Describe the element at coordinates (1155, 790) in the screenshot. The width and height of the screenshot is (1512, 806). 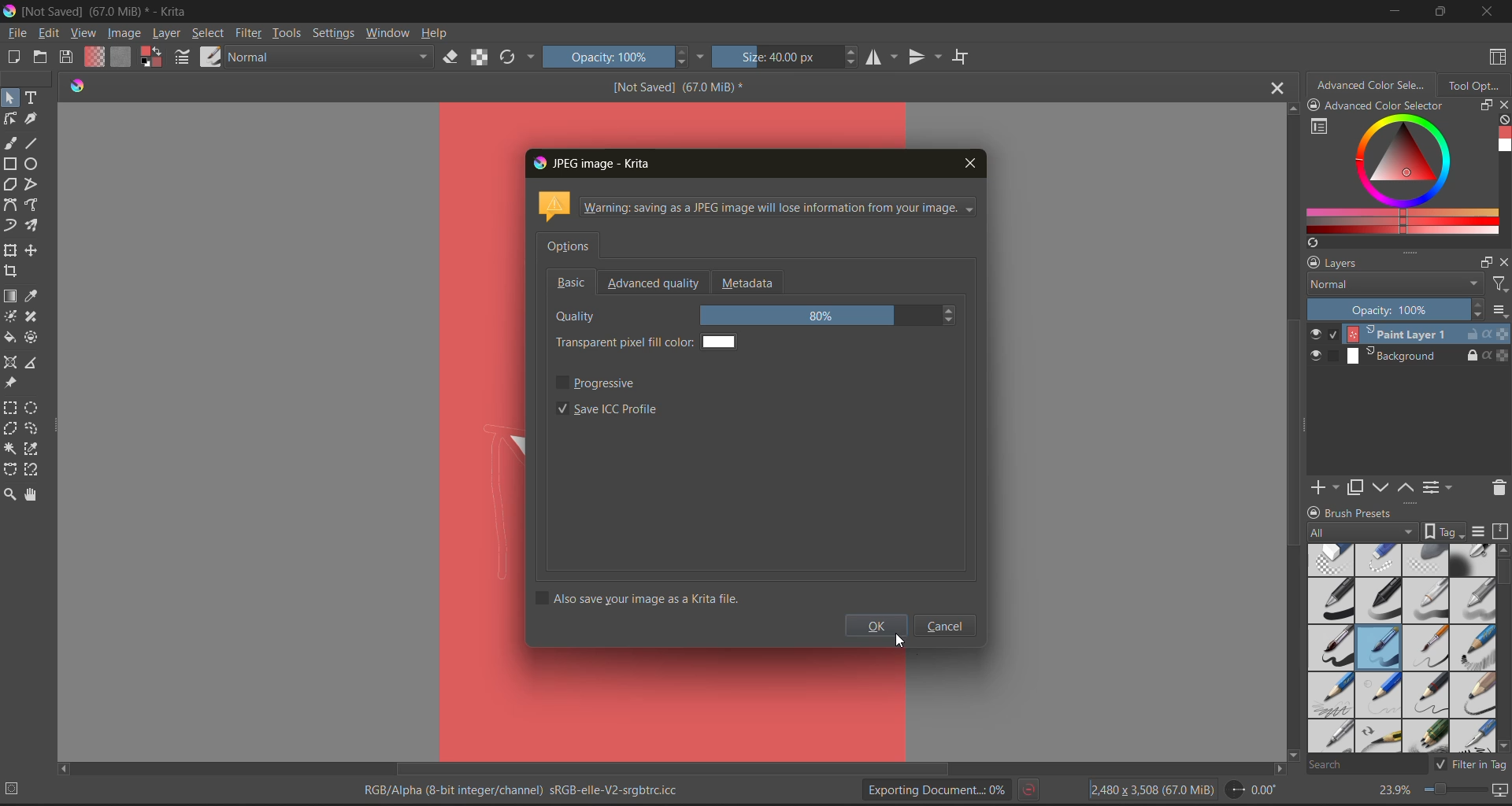
I see `image description` at that location.